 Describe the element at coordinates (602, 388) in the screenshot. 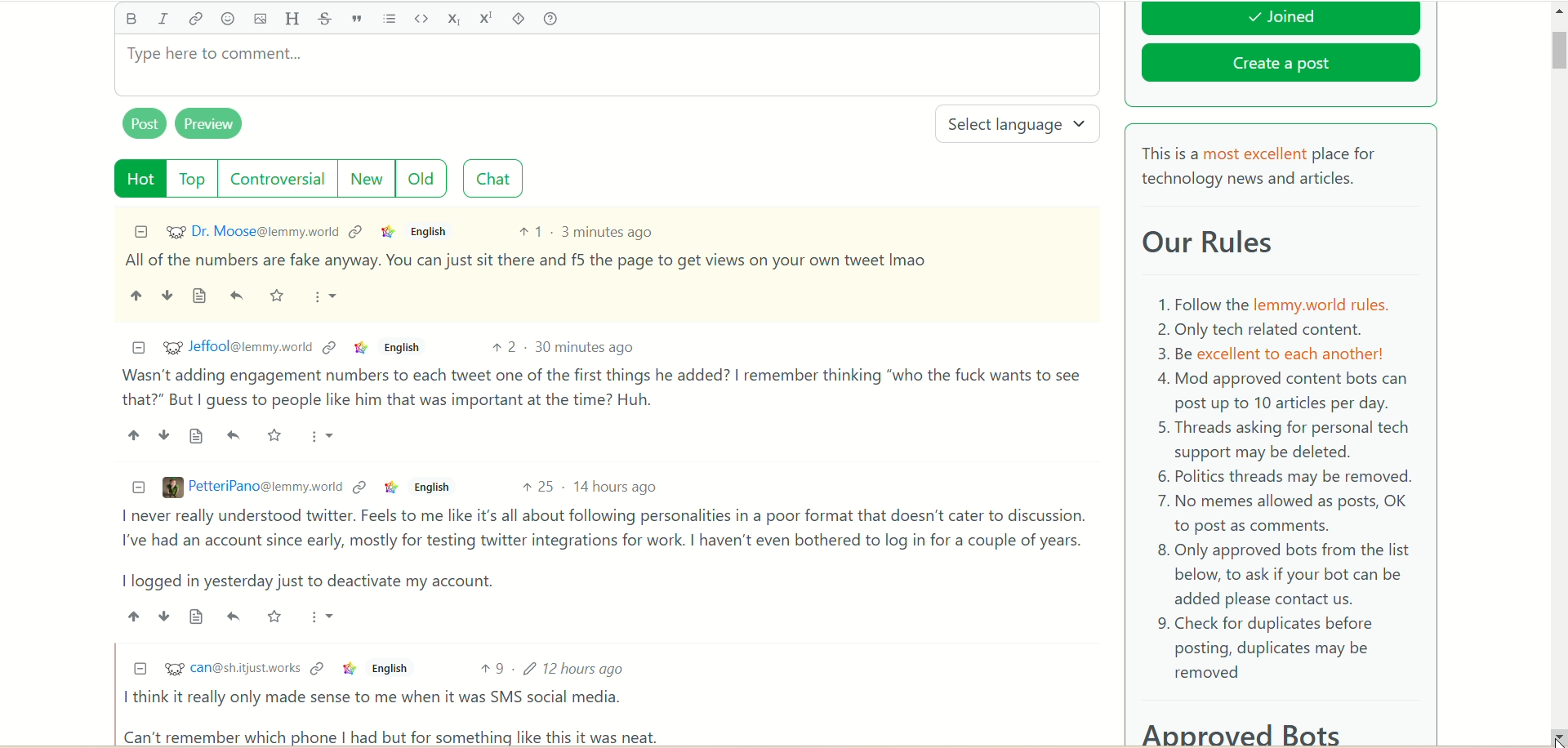

I see `Wasn't adding engagement numbers to each tweet one of the first things he added? | remember thinking “who the fuck wants to see
that?” But | guess to people like him that was important at the time? Huh.` at that location.